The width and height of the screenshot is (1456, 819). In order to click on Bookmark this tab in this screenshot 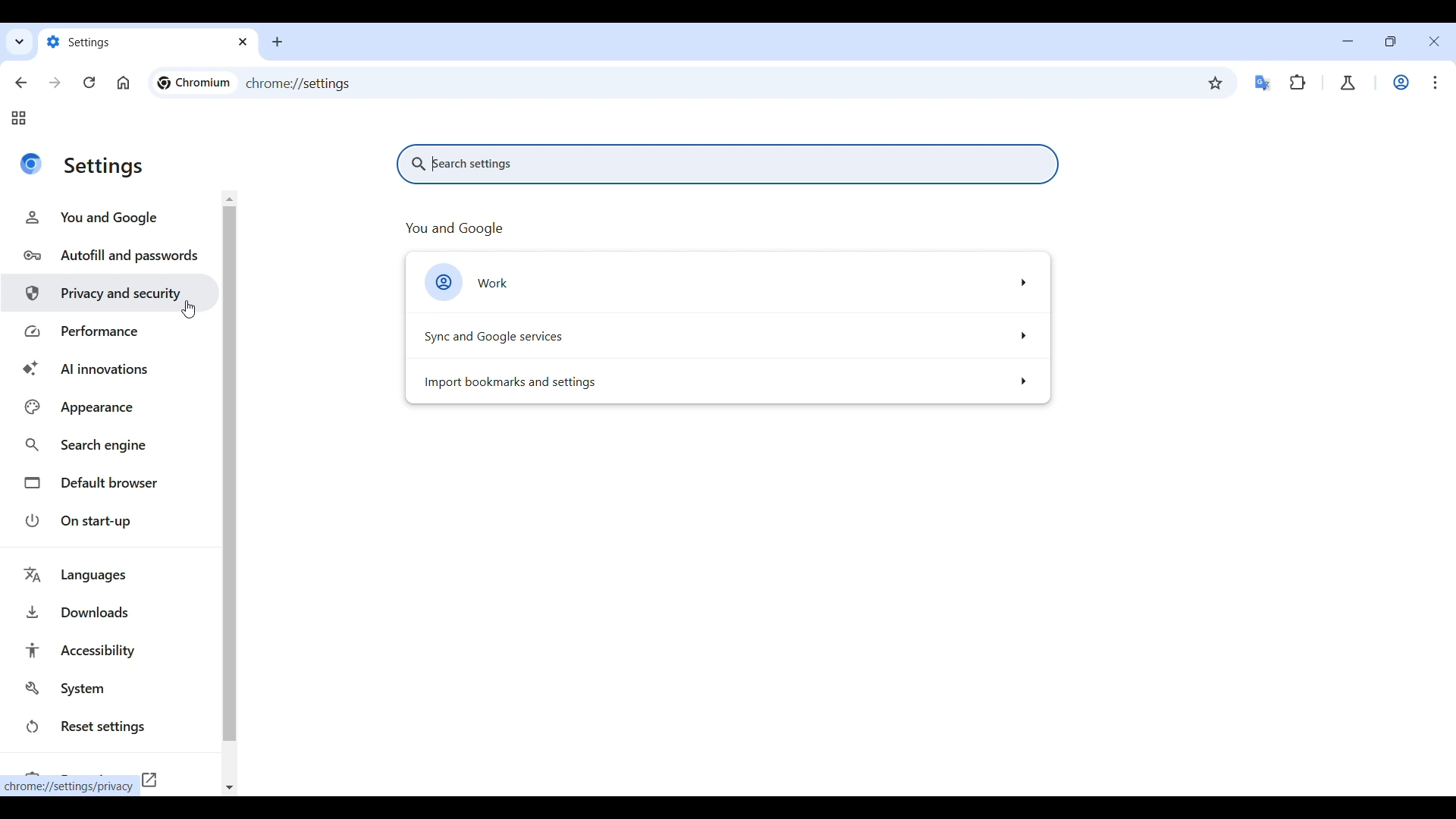, I will do `click(1216, 83)`.